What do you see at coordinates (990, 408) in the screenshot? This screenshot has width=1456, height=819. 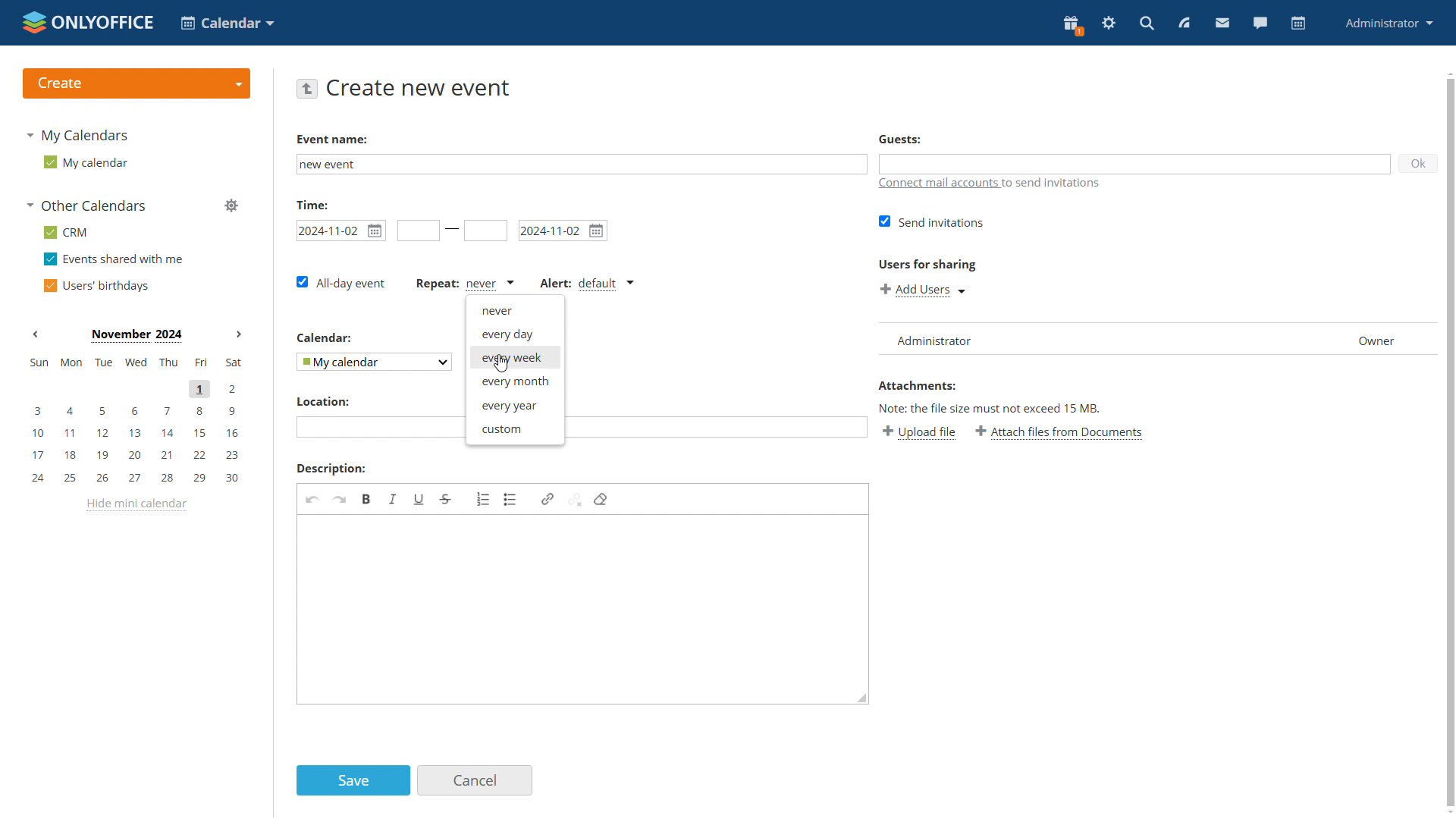 I see `Note: the file size must not exceed 15 mb` at bounding box center [990, 408].